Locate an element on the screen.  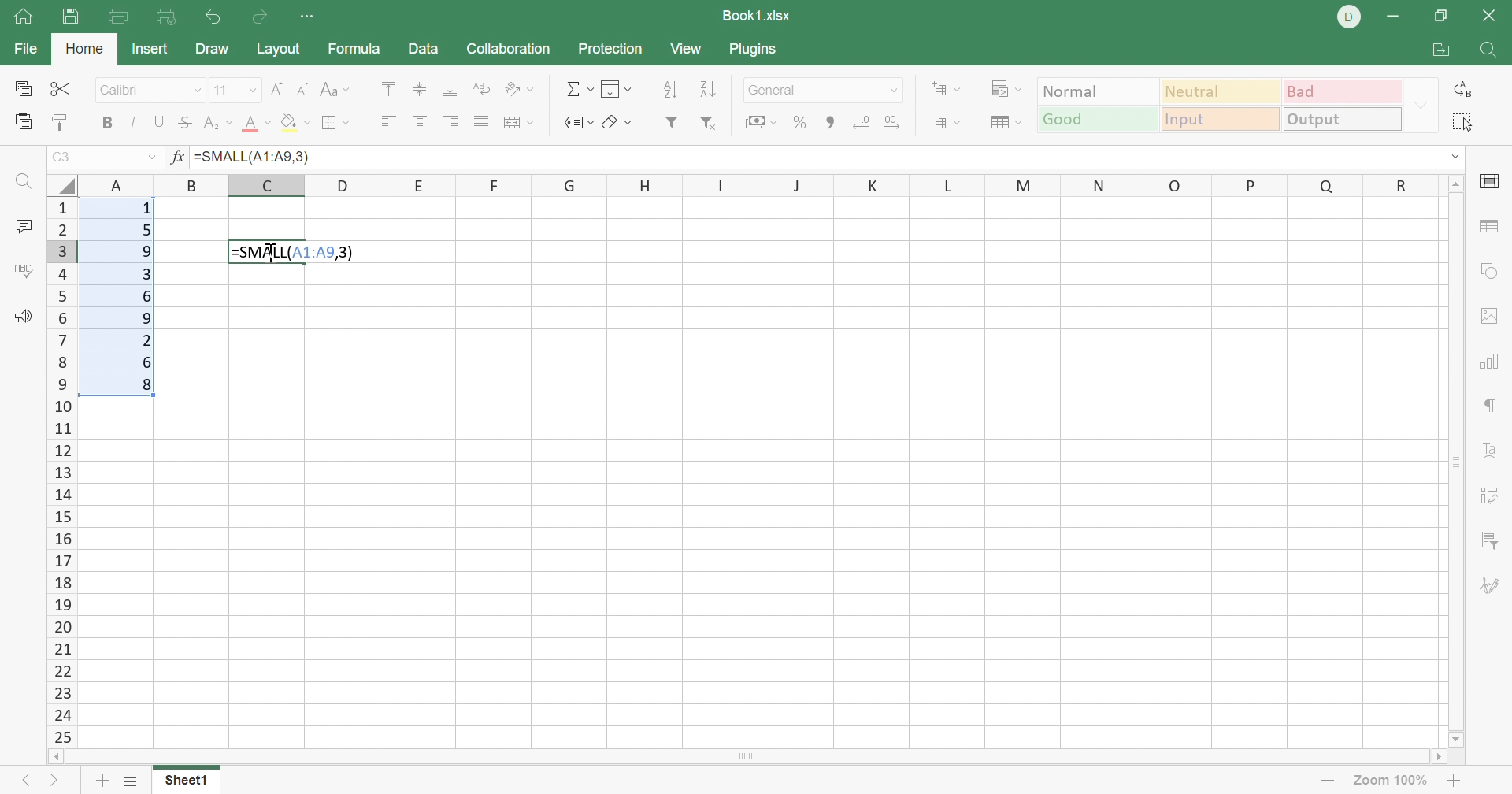
Insert is located at coordinates (147, 49).